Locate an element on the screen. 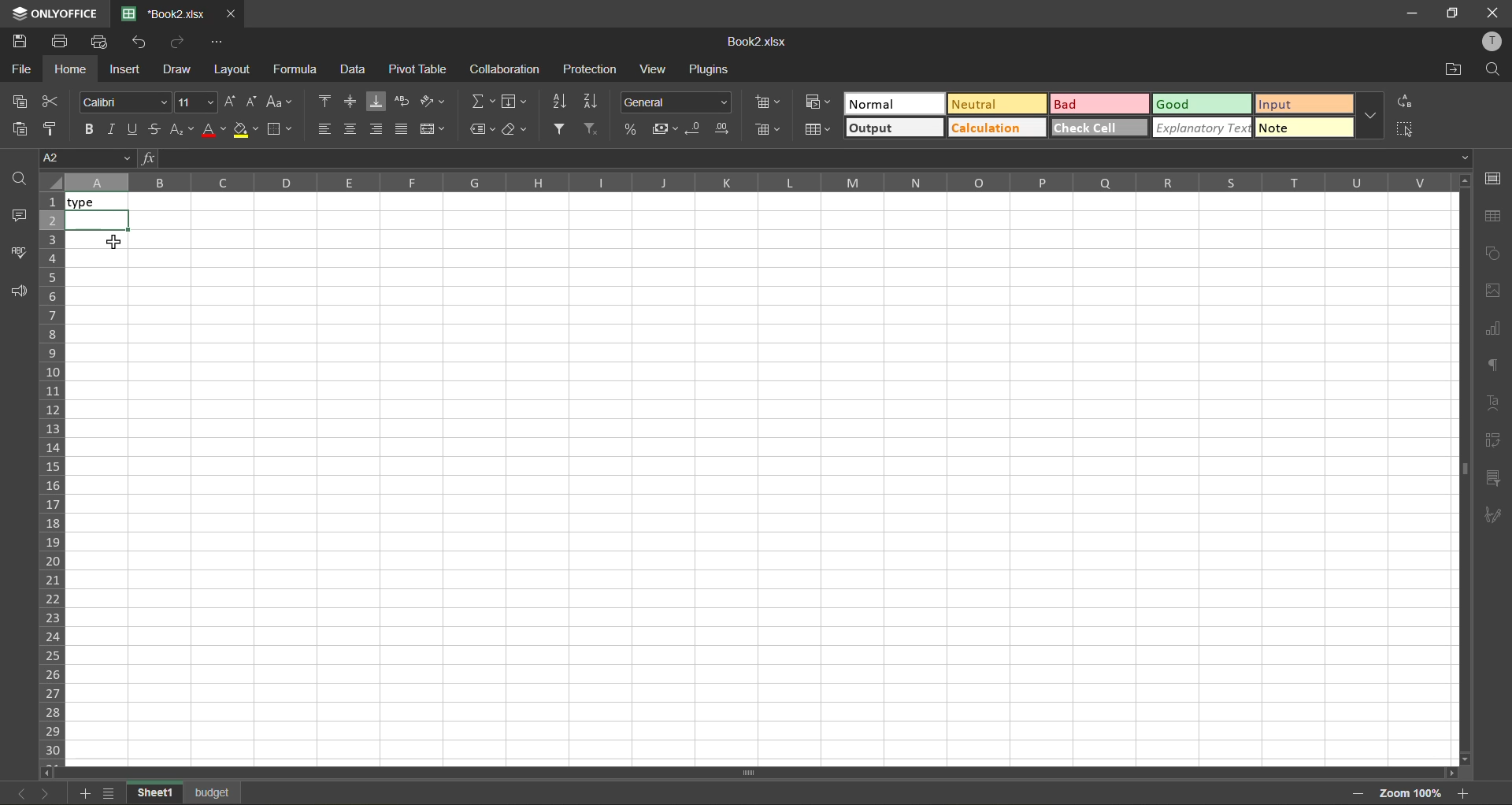 The image size is (1512, 805). formula is located at coordinates (295, 69).